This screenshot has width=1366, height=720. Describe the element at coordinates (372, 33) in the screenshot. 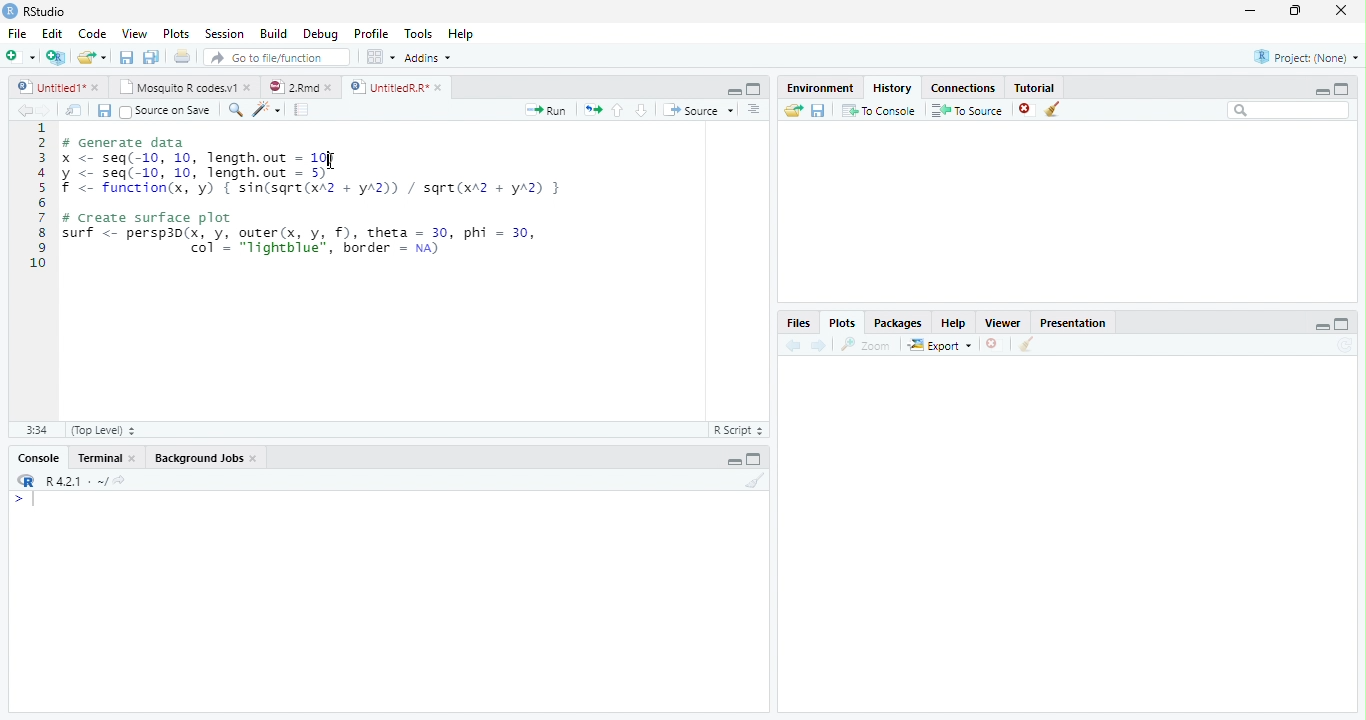

I see `Profile` at that location.